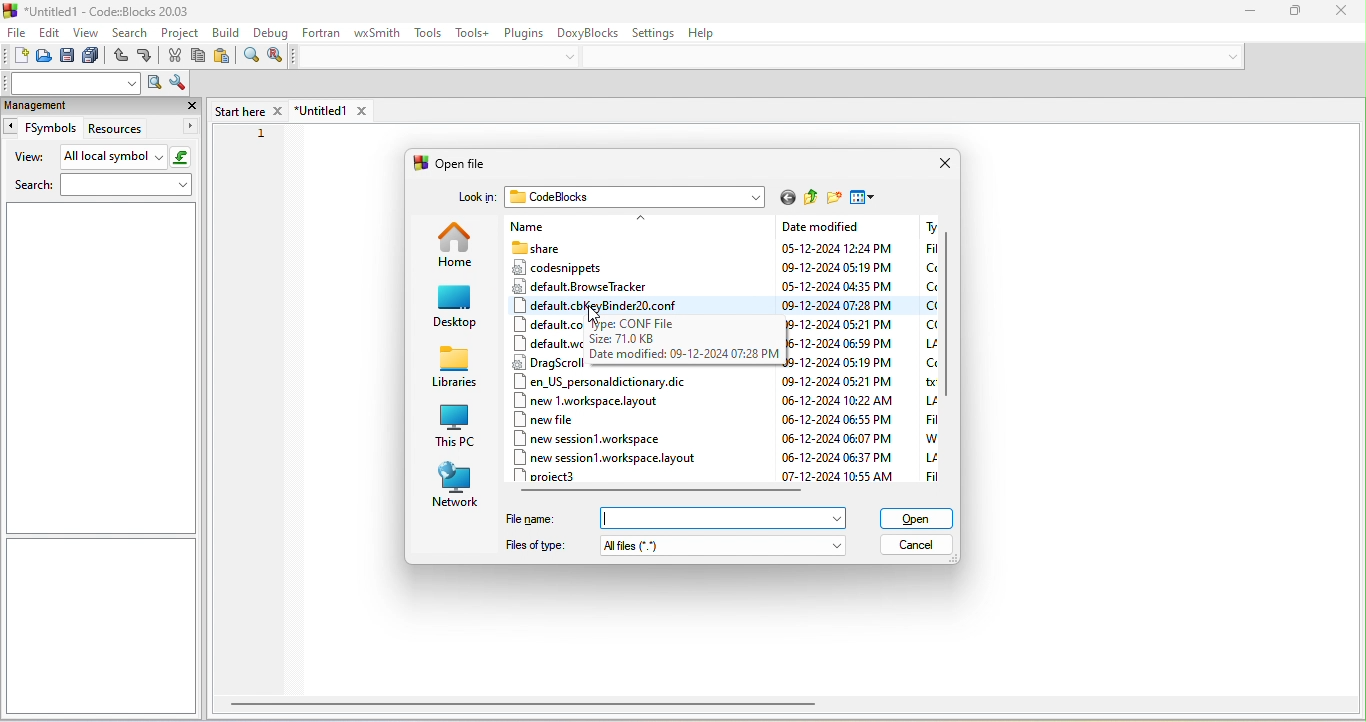 The width and height of the screenshot is (1366, 722). I want to click on date, so click(841, 363).